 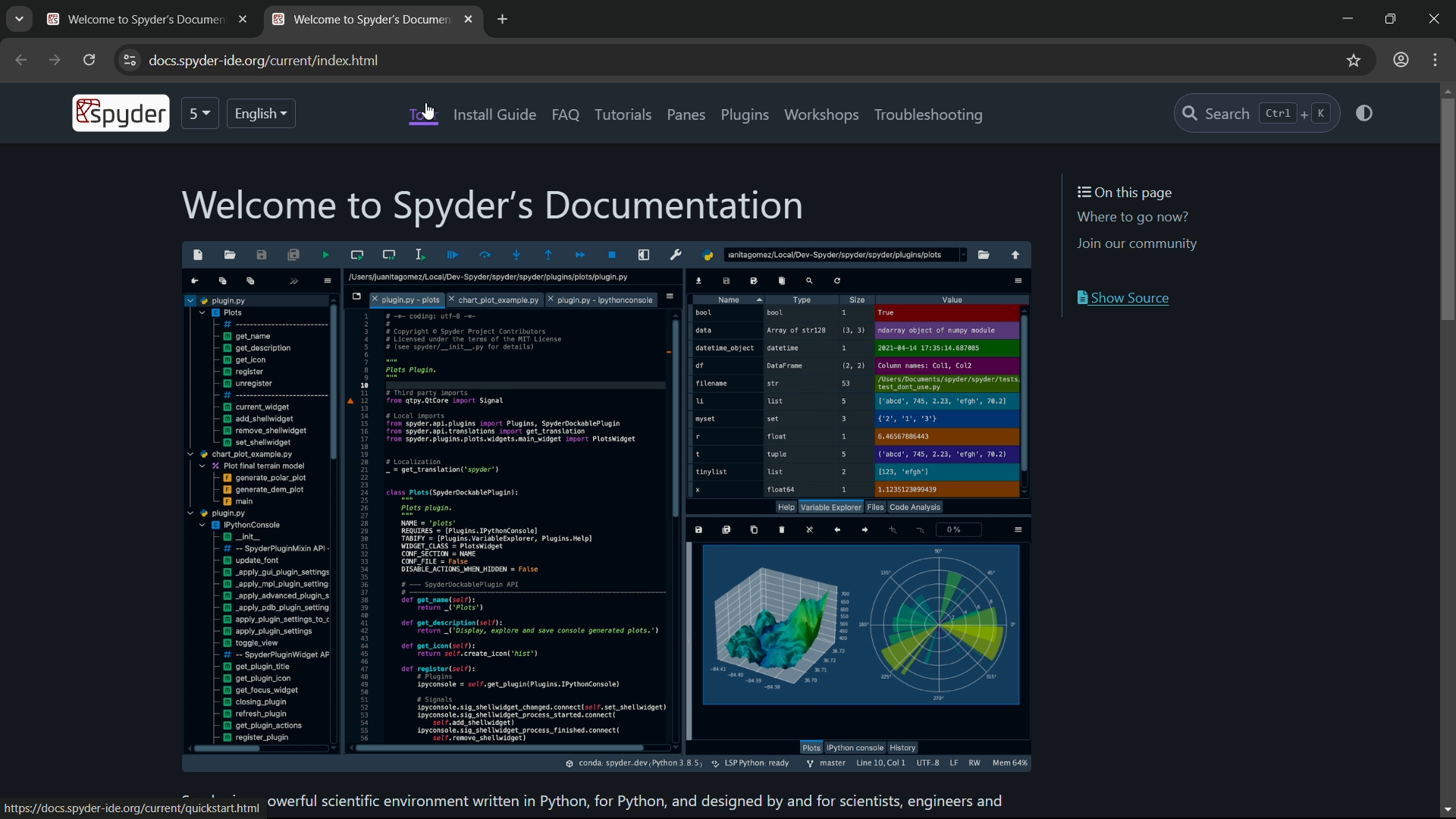 What do you see at coordinates (19, 20) in the screenshot?
I see `browse tabs` at bounding box center [19, 20].